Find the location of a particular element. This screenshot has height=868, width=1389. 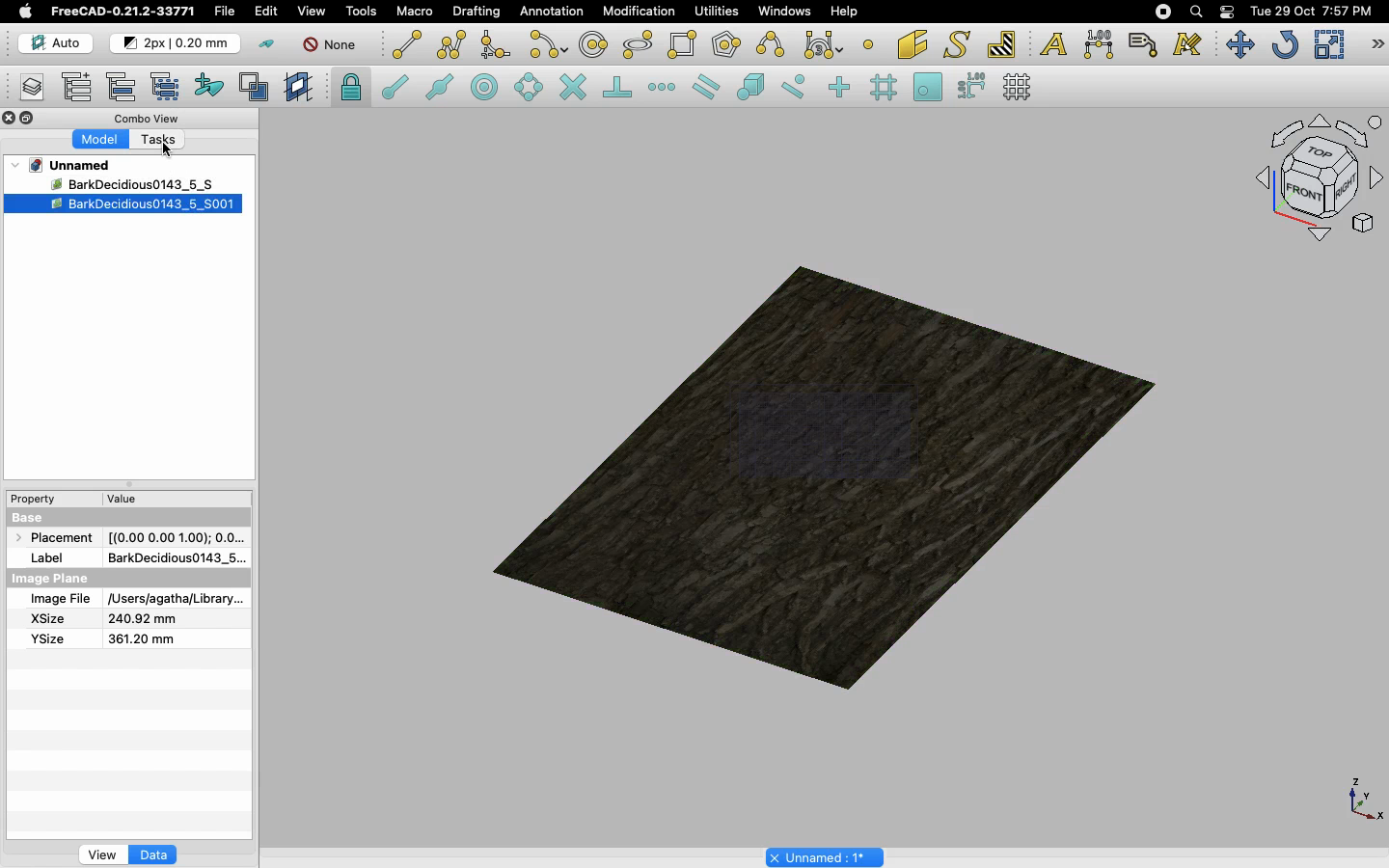

Create working plane proxy is located at coordinates (301, 88).